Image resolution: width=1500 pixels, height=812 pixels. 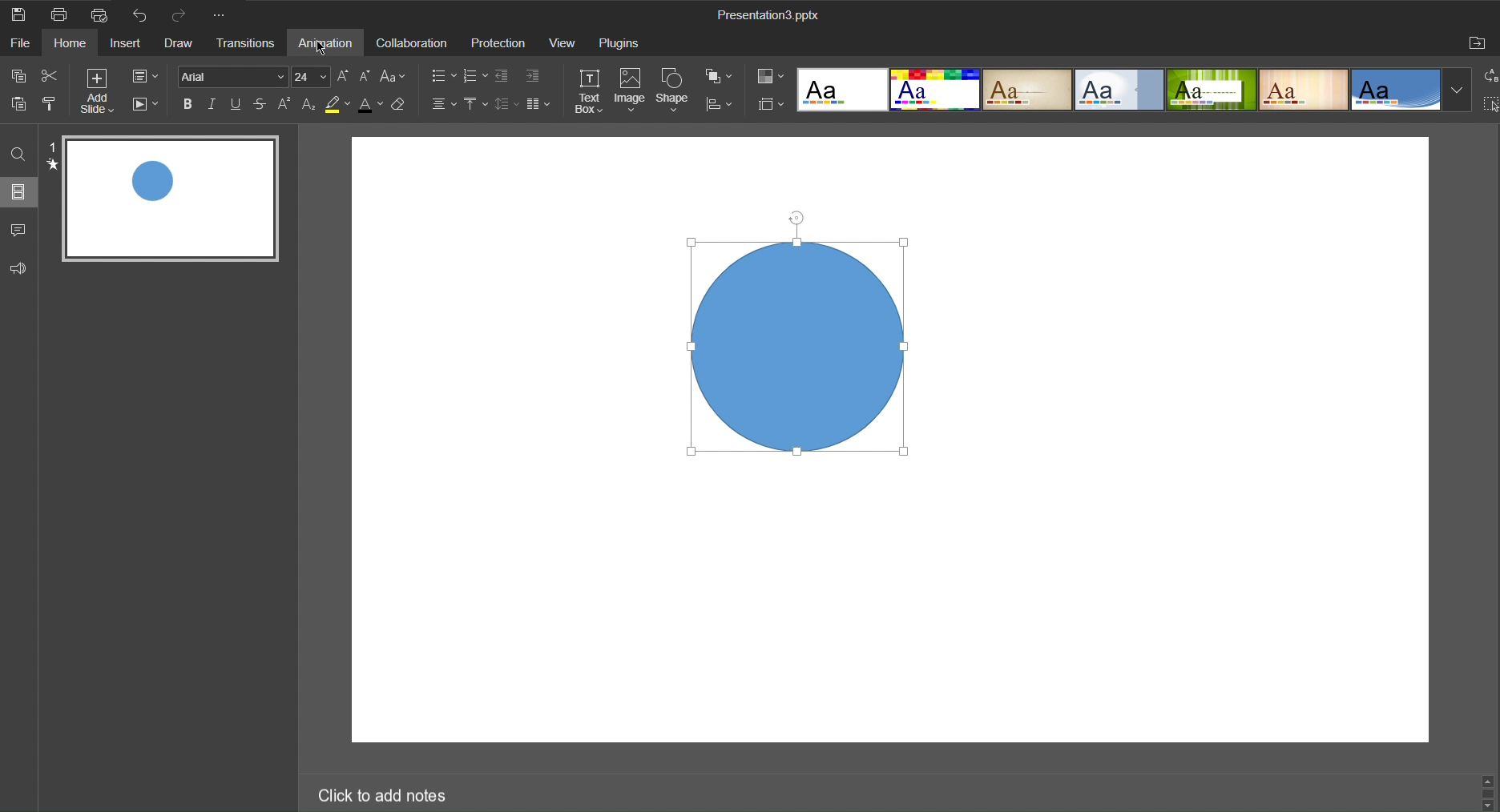 What do you see at coordinates (58, 106) in the screenshot?
I see `Copy Style` at bounding box center [58, 106].